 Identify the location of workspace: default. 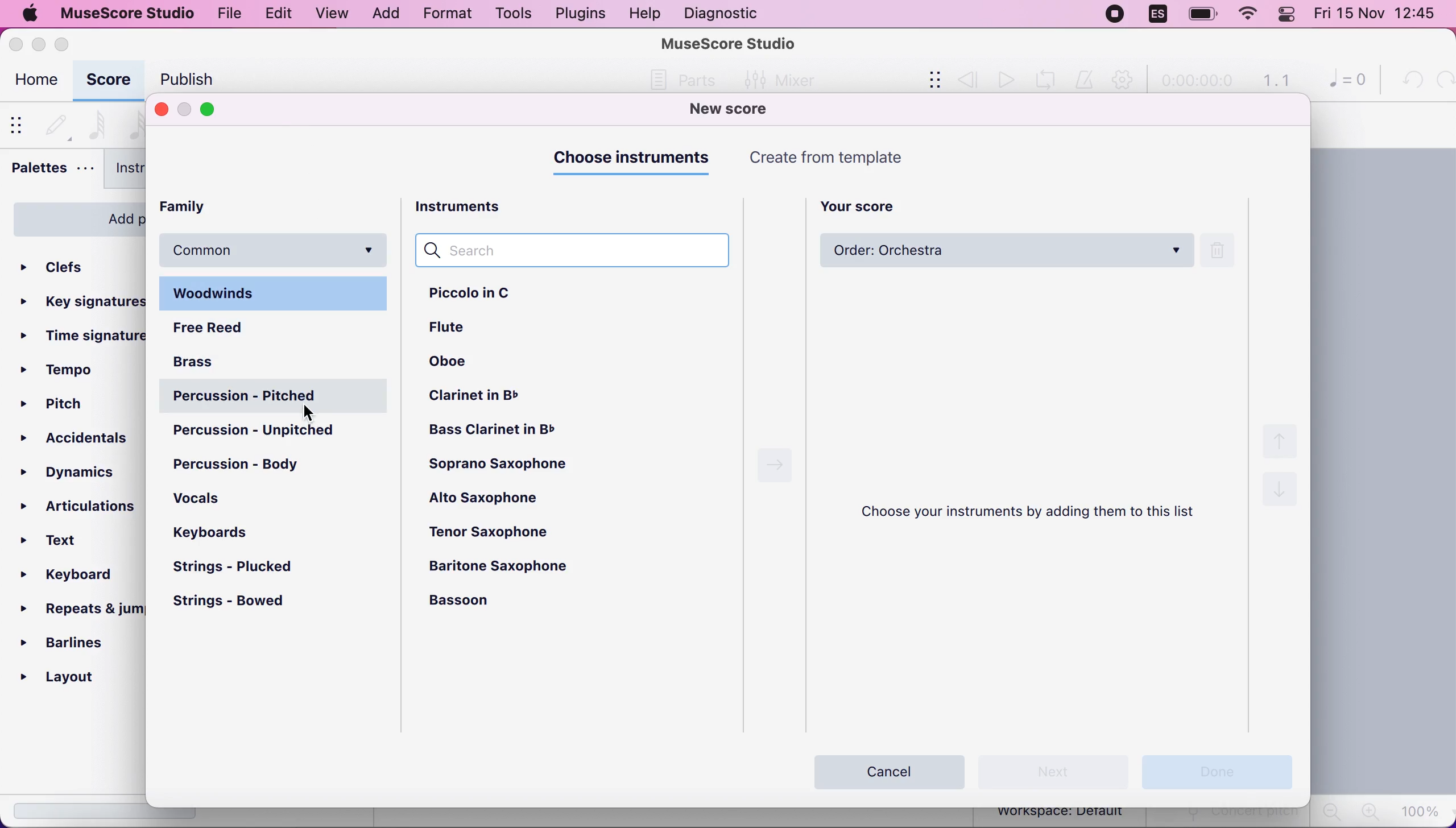
(1064, 814).